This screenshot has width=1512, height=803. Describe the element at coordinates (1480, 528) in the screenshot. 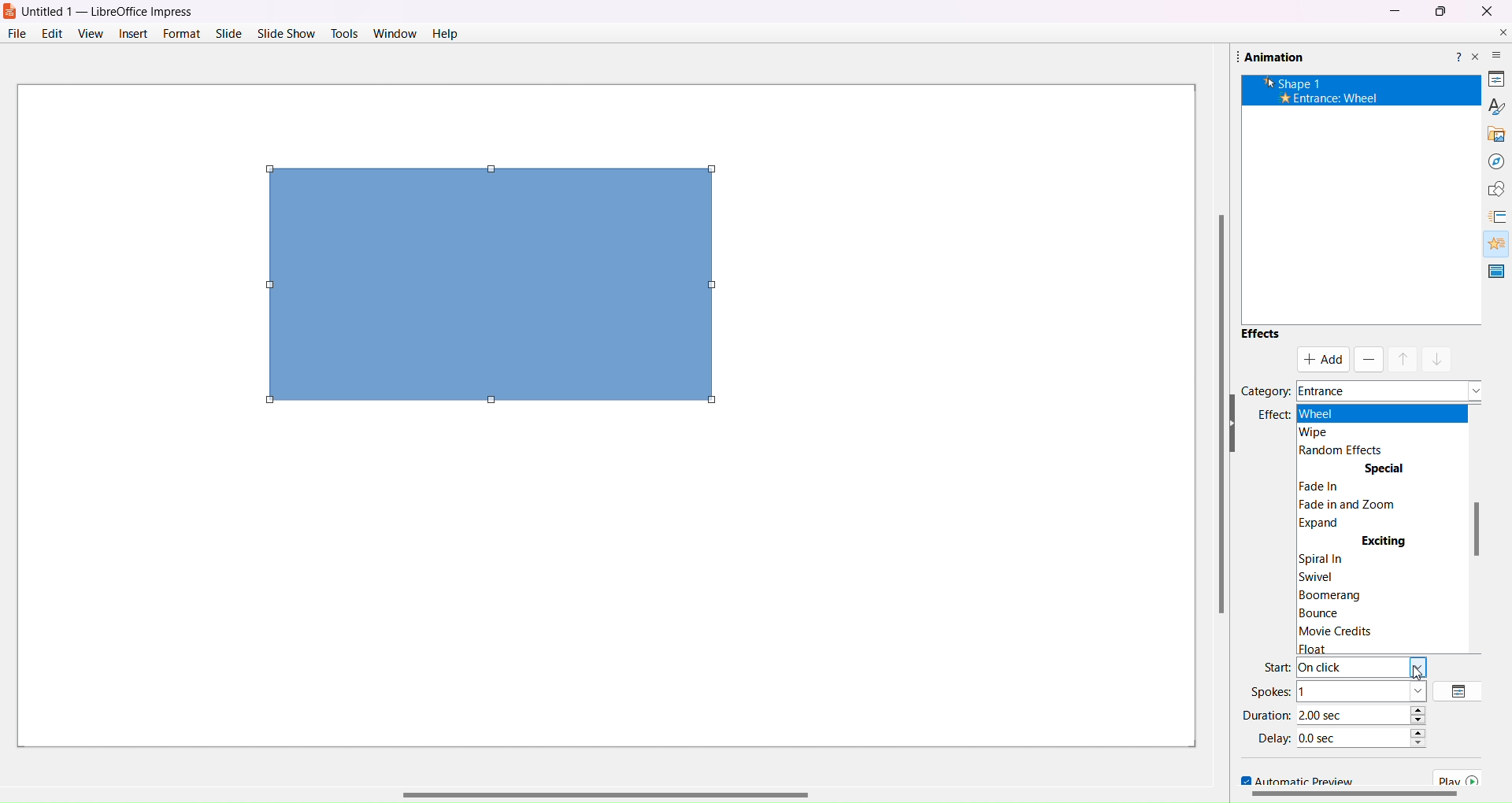

I see `Scroll Bar` at that location.